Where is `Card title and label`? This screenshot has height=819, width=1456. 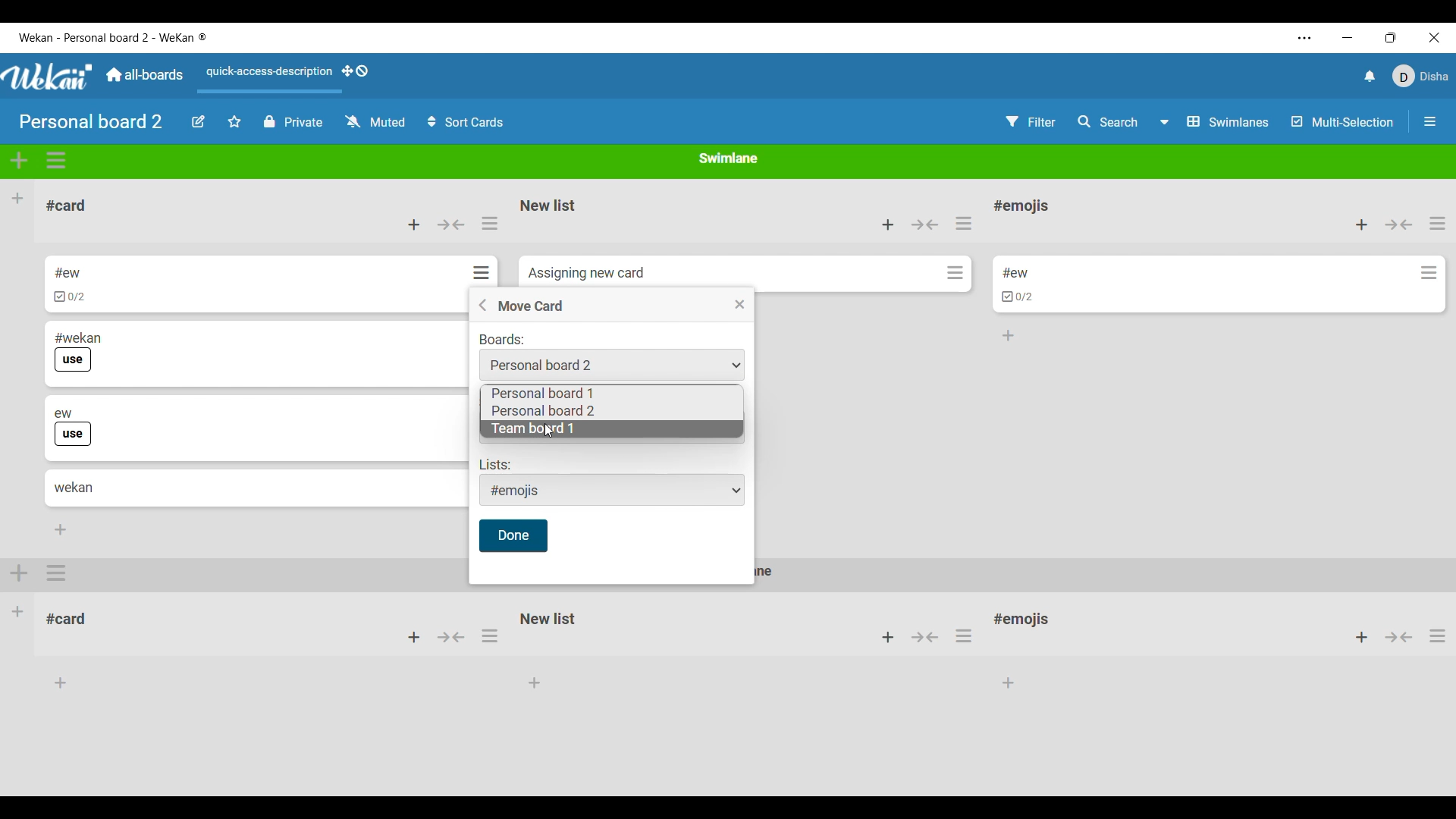 Card title and label is located at coordinates (78, 352).